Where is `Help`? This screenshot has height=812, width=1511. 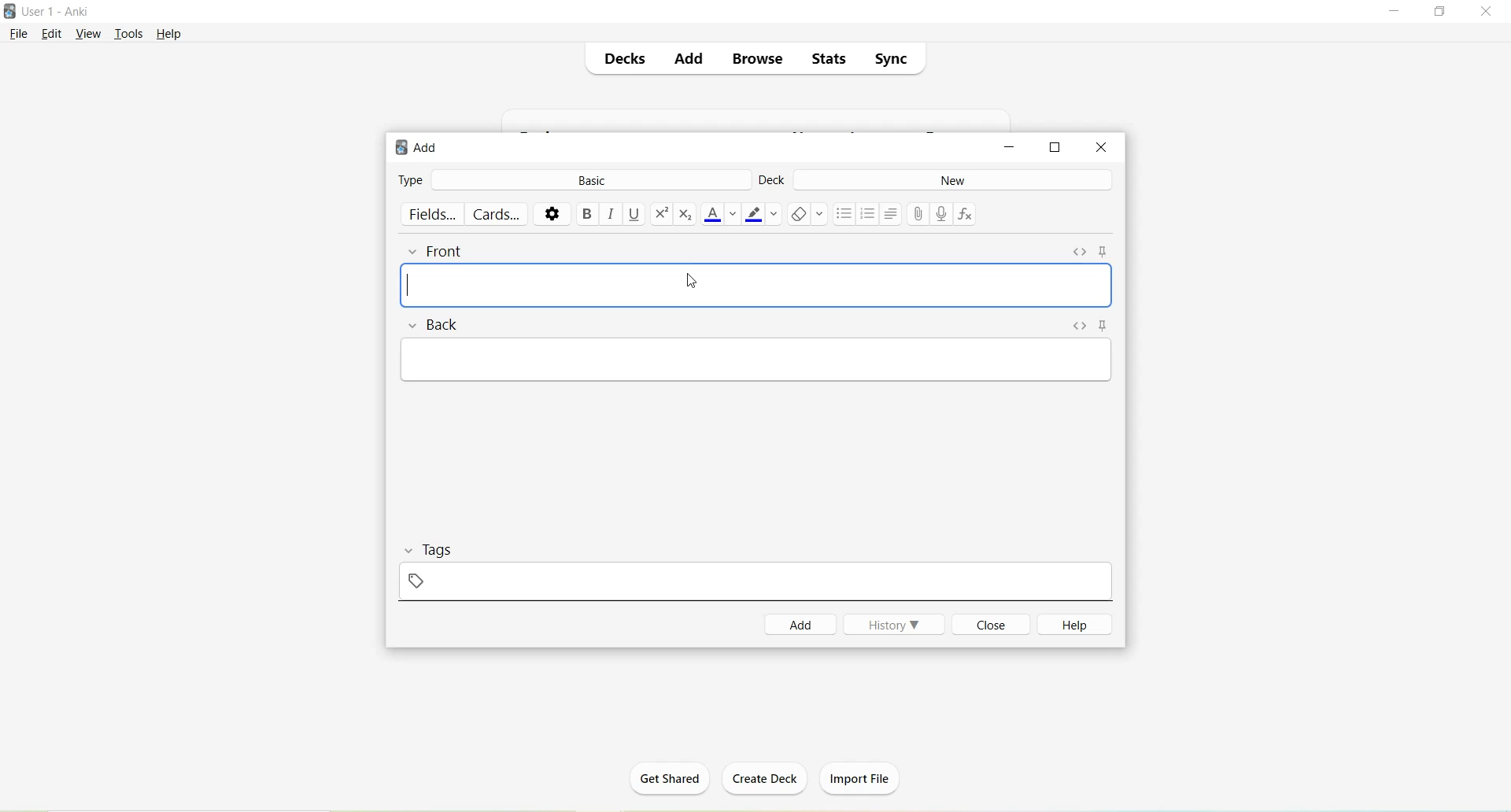
Help is located at coordinates (169, 35).